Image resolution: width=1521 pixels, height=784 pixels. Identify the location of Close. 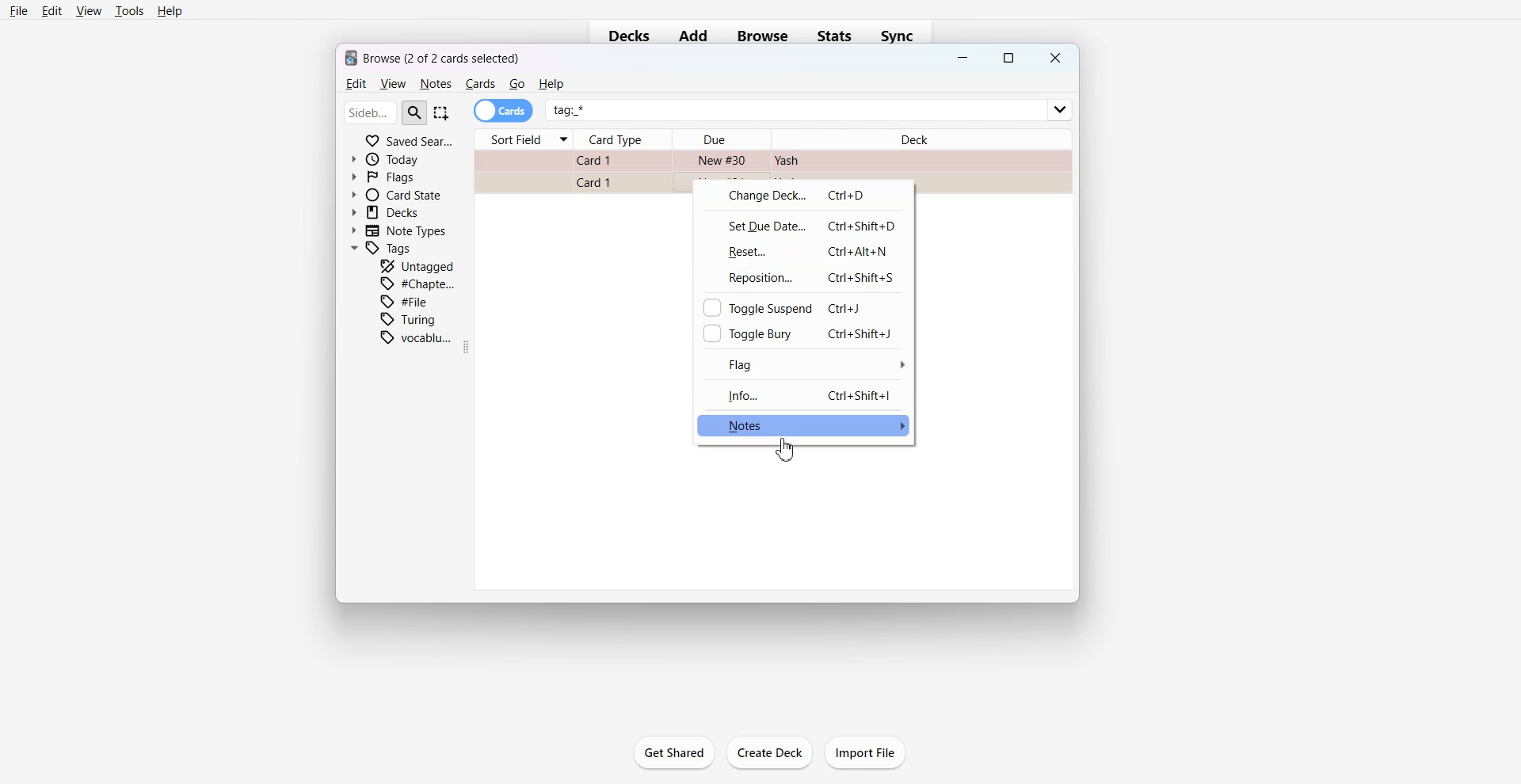
(1054, 58).